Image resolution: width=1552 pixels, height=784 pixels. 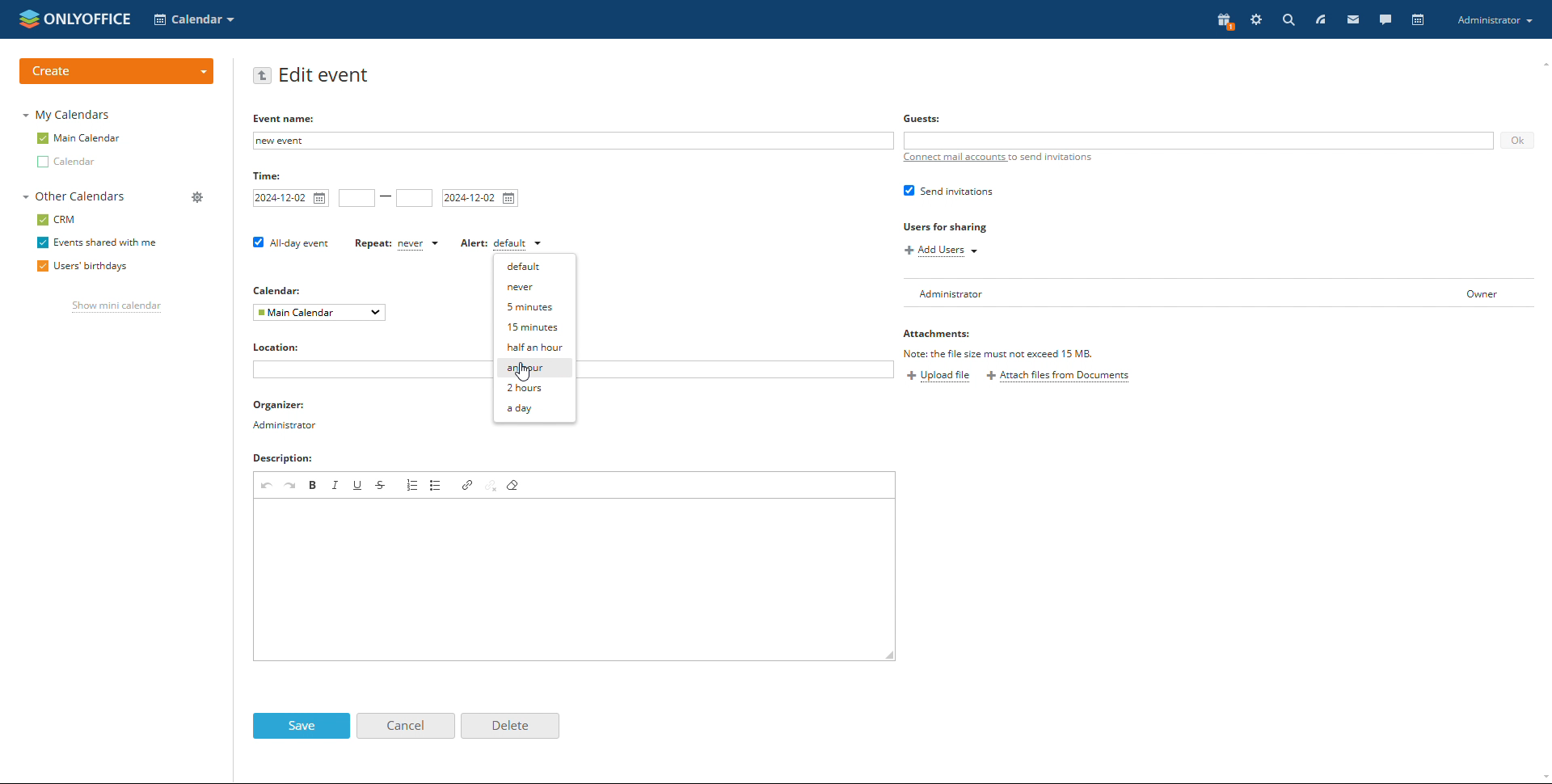 What do you see at coordinates (194, 20) in the screenshot?
I see `select application` at bounding box center [194, 20].